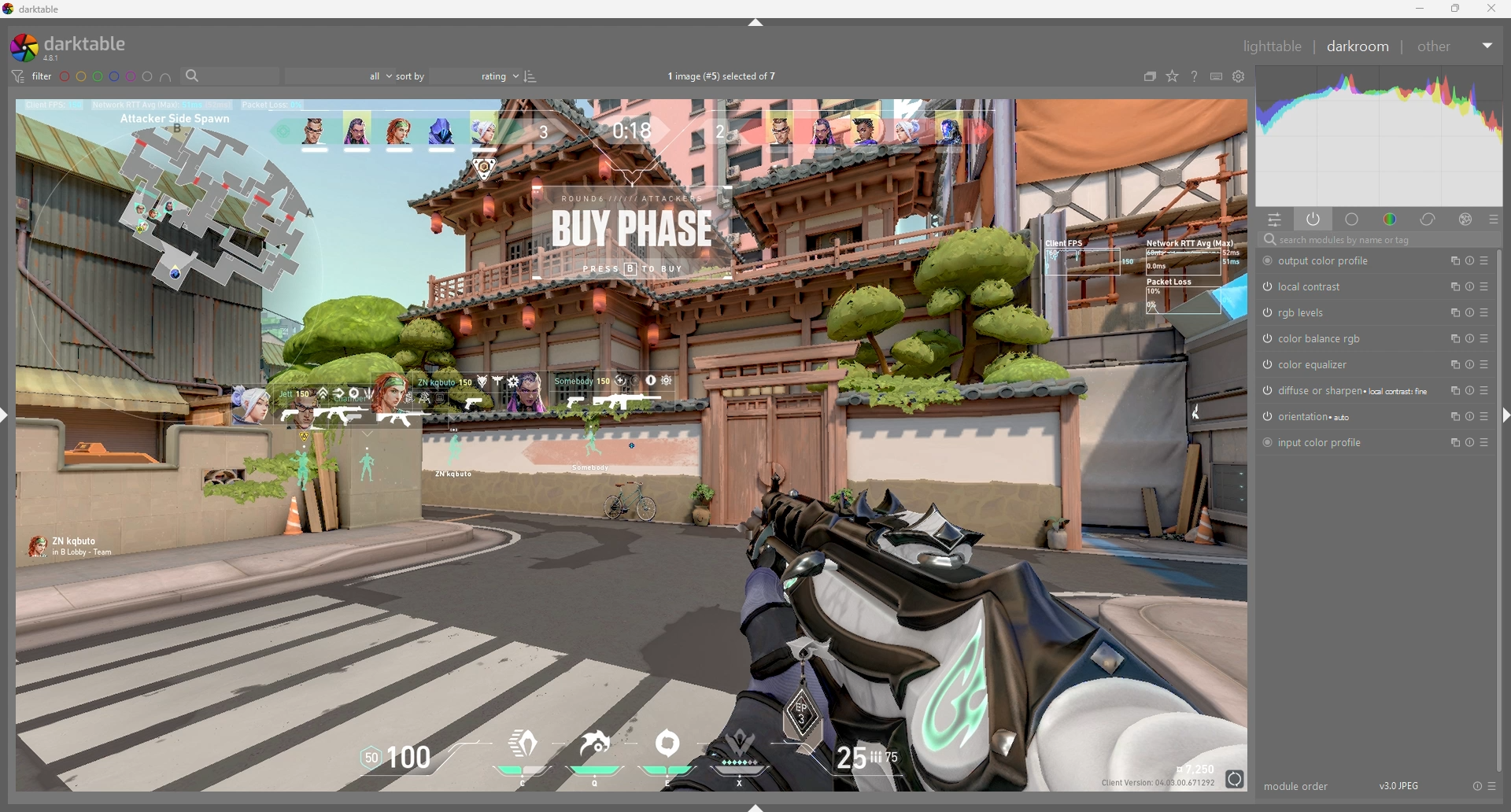 The height and width of the screenshot is (812, 1511). I want to click on color, so click(1391, 218).